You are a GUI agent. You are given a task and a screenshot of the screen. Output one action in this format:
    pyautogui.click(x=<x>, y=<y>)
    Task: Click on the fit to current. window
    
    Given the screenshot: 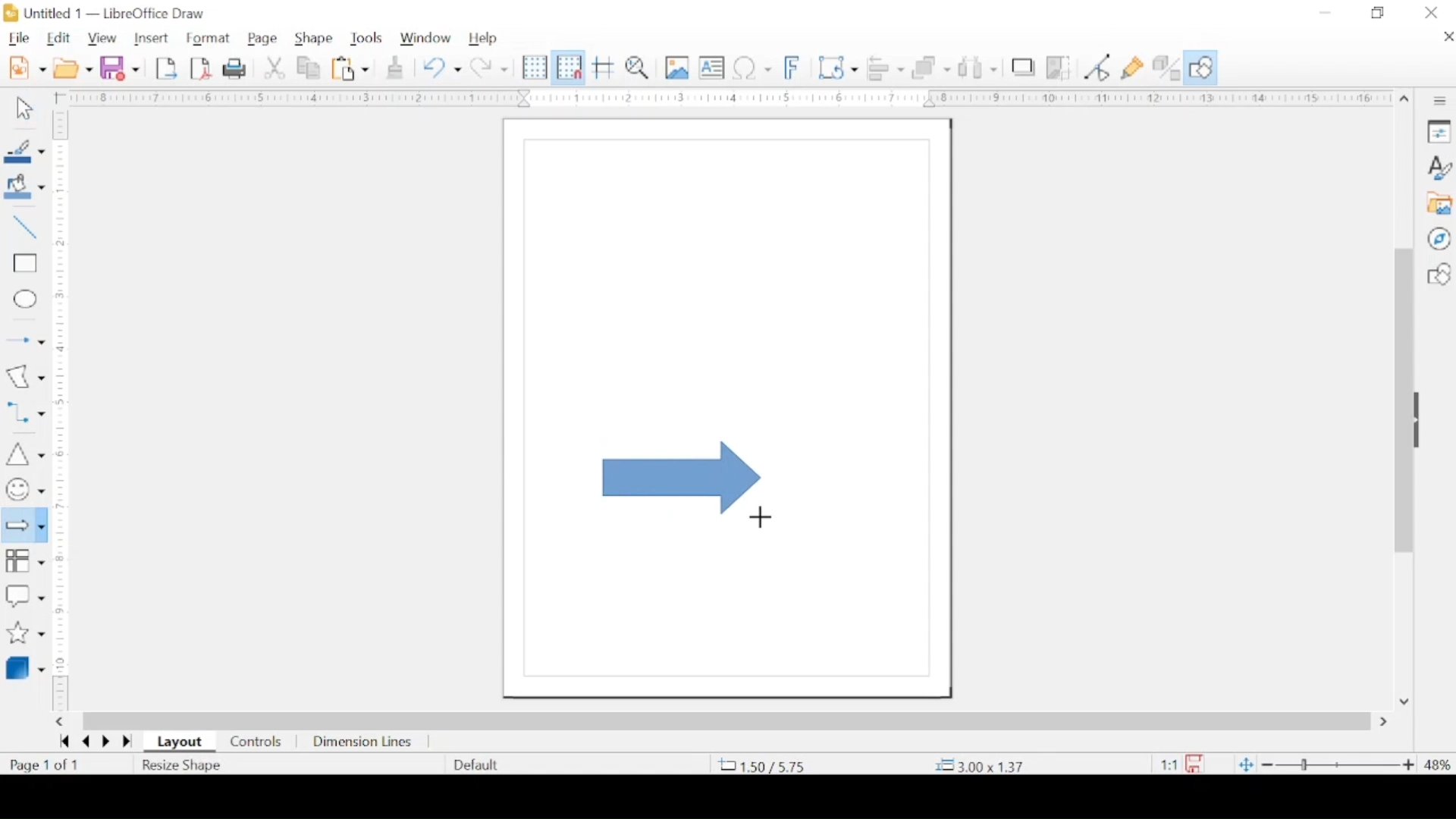 What is the action you would take?
    pyautogui.click(x=1244, y=764)
    